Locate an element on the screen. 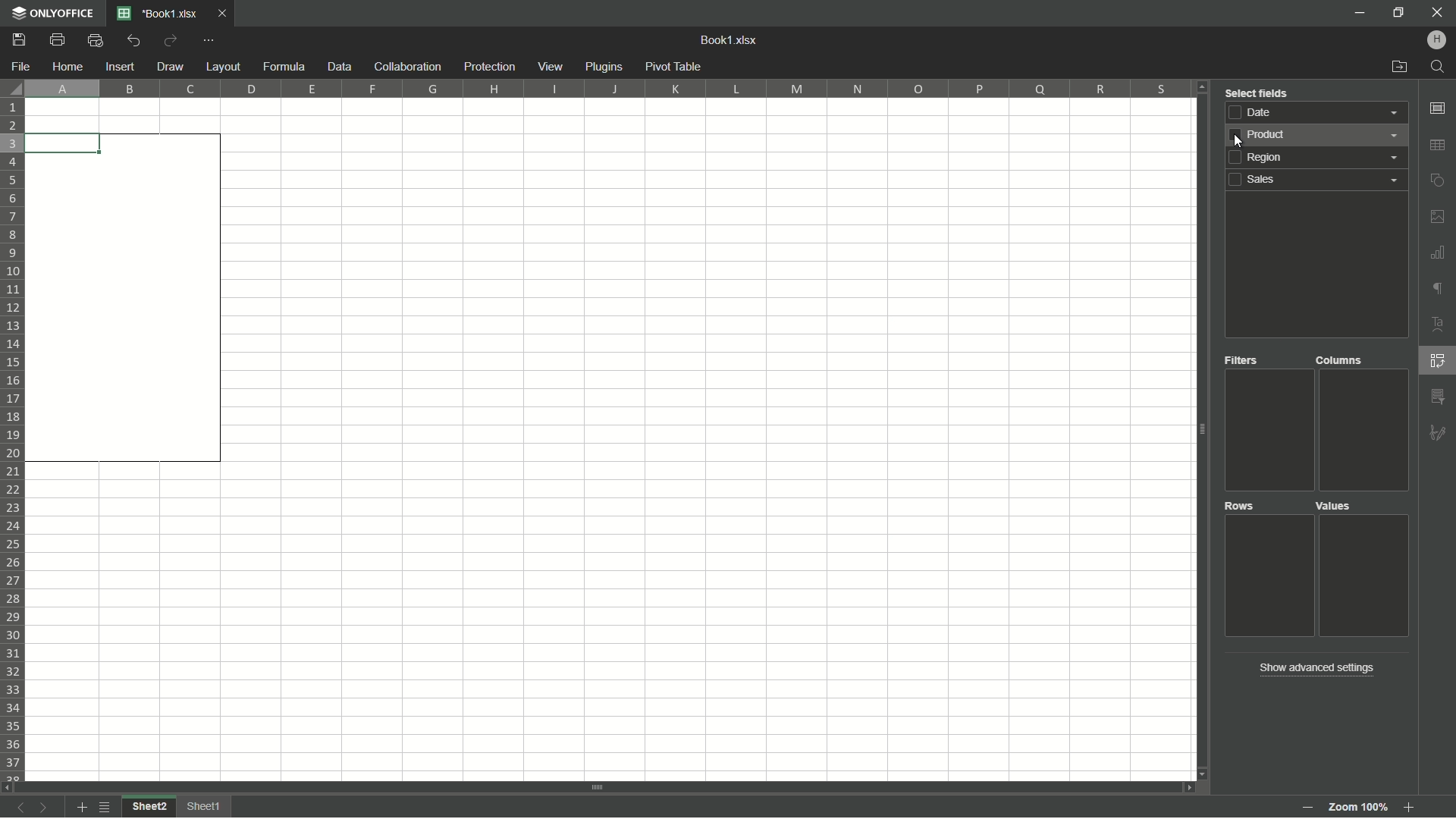 This screenshot has width=1456, height=819. Redo is located at coordinates (171, 39).